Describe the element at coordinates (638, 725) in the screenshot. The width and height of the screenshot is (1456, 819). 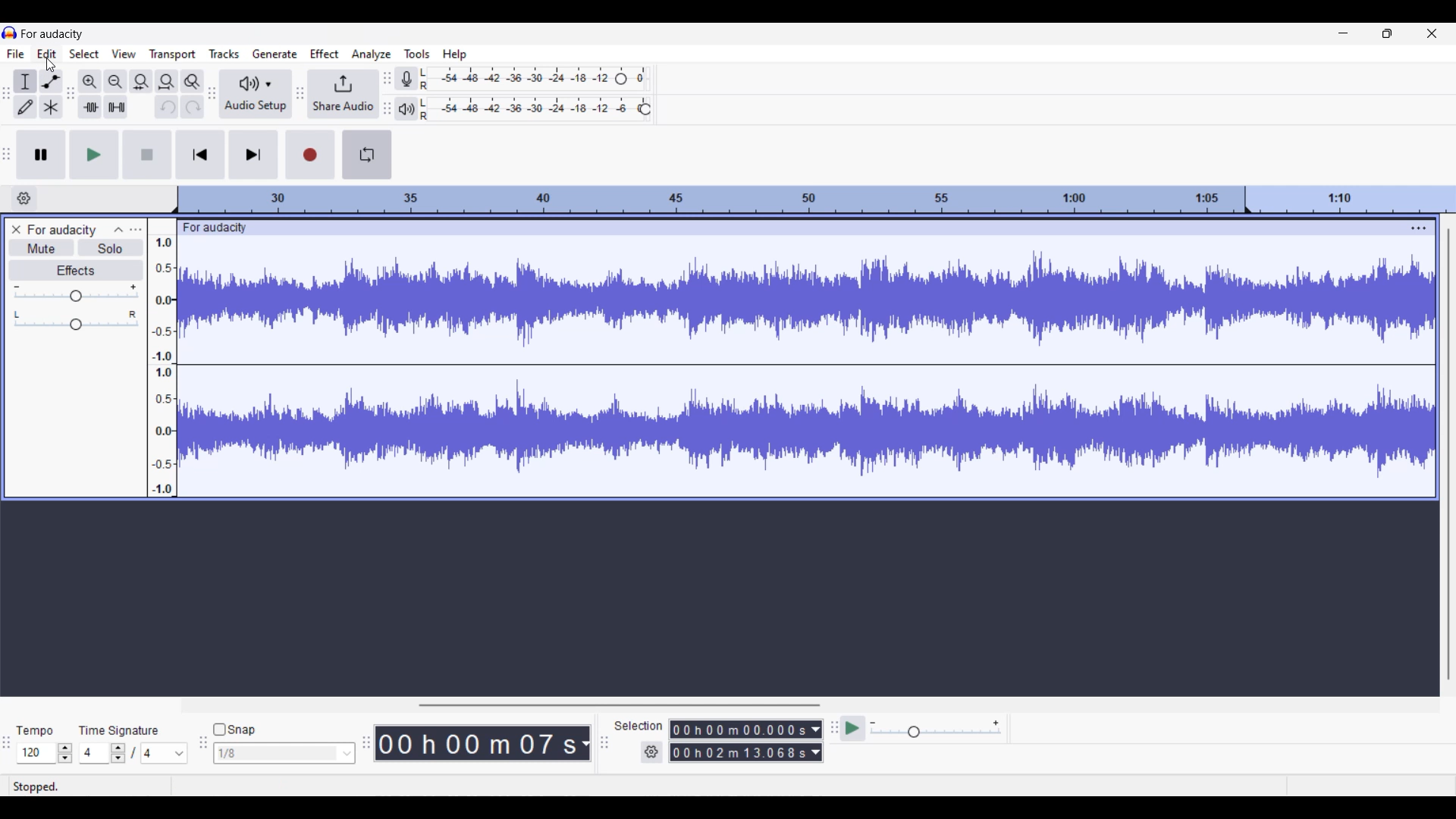
I see `selection` at that location.